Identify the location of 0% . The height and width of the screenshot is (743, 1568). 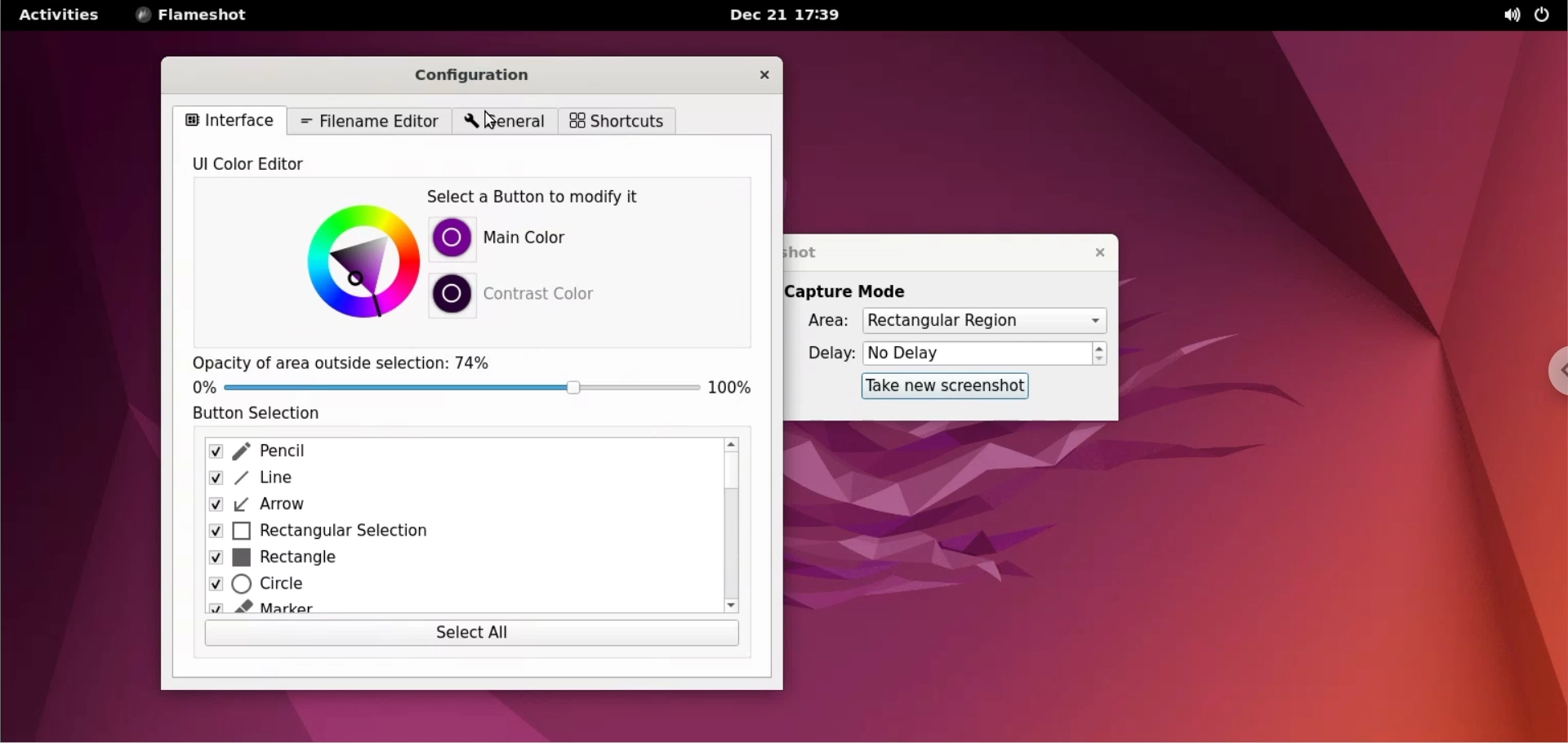
(205, 389).